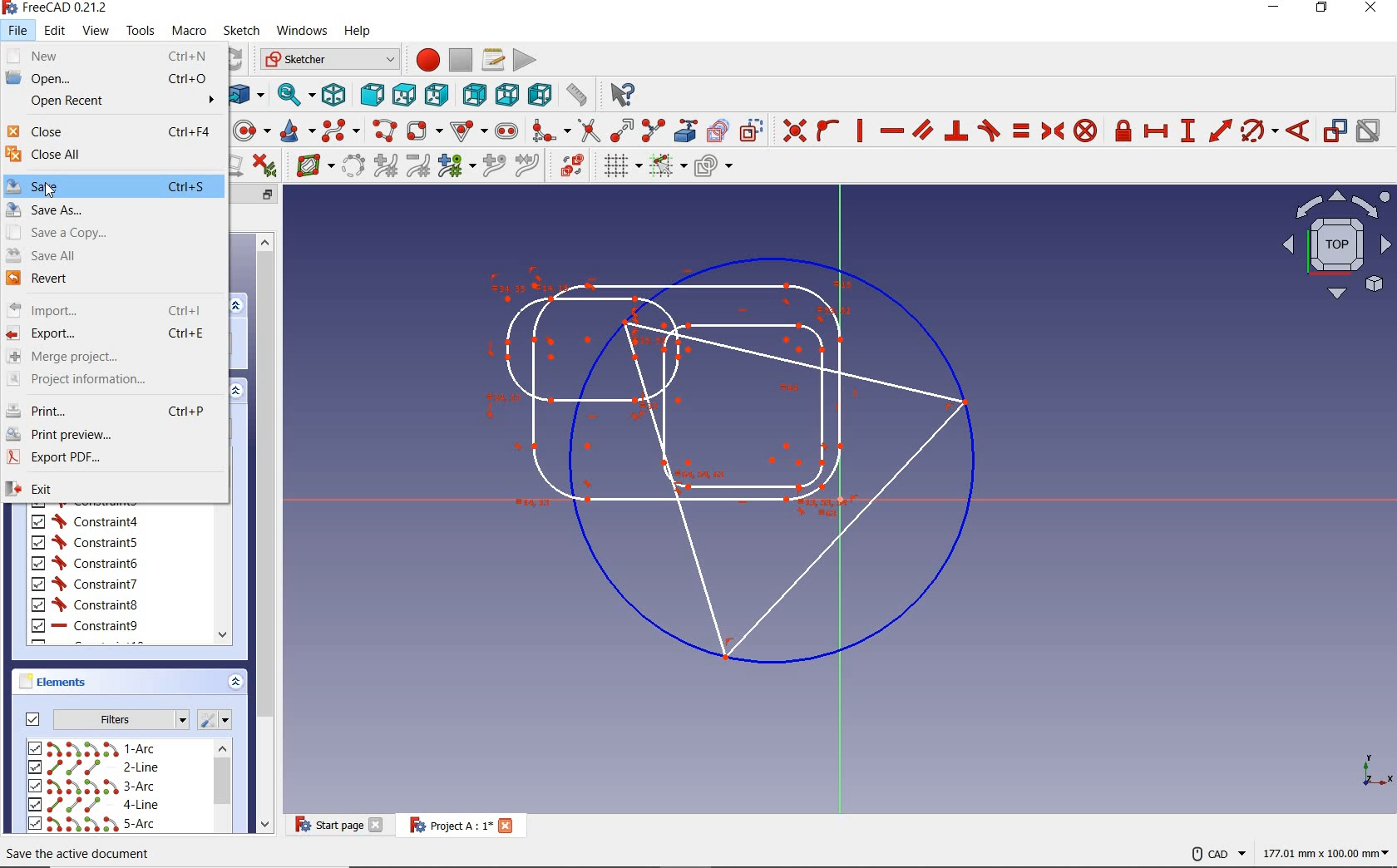  Describe the element at coordinates (50, 190) in the screenshot. I see `cursor position at save` at that location.